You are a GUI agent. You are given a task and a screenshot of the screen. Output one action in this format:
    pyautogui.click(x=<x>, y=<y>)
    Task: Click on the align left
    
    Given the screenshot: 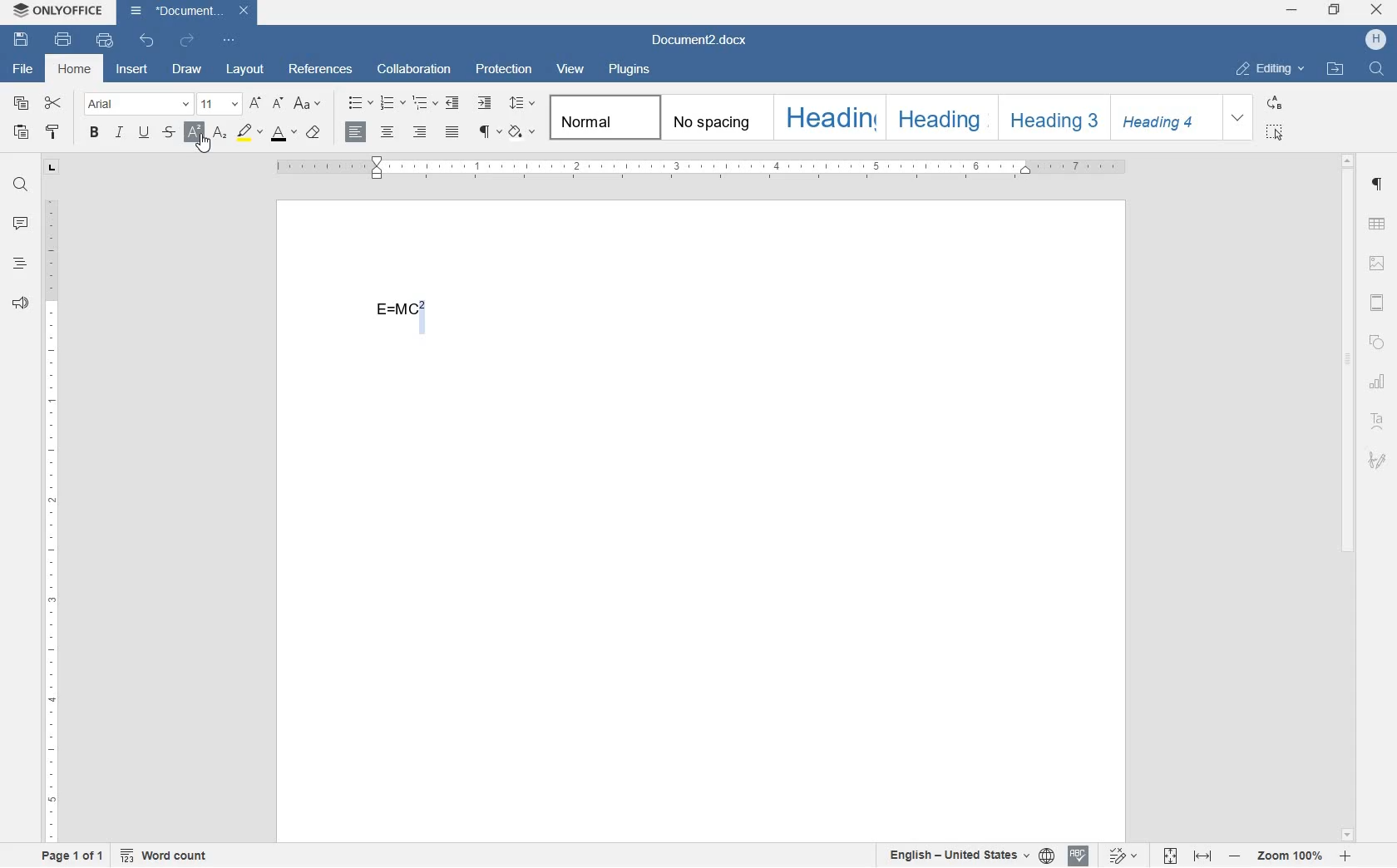 What is the action you would take?
    pyautogui.click(x=355, y=131)
    